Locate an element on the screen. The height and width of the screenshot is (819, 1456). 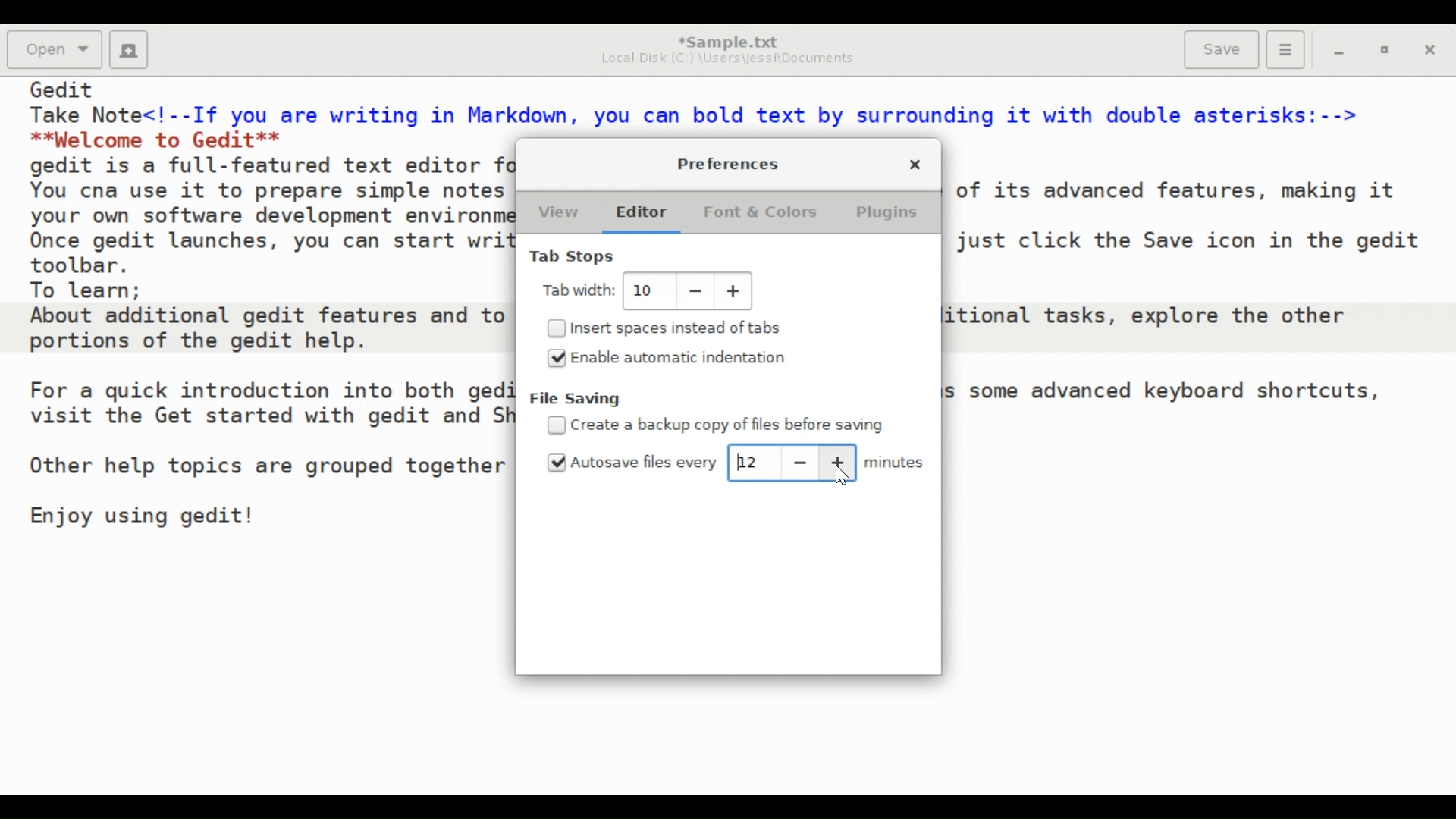
(un)select create a backup copy of files before saving is located at coordinates (717, 425).